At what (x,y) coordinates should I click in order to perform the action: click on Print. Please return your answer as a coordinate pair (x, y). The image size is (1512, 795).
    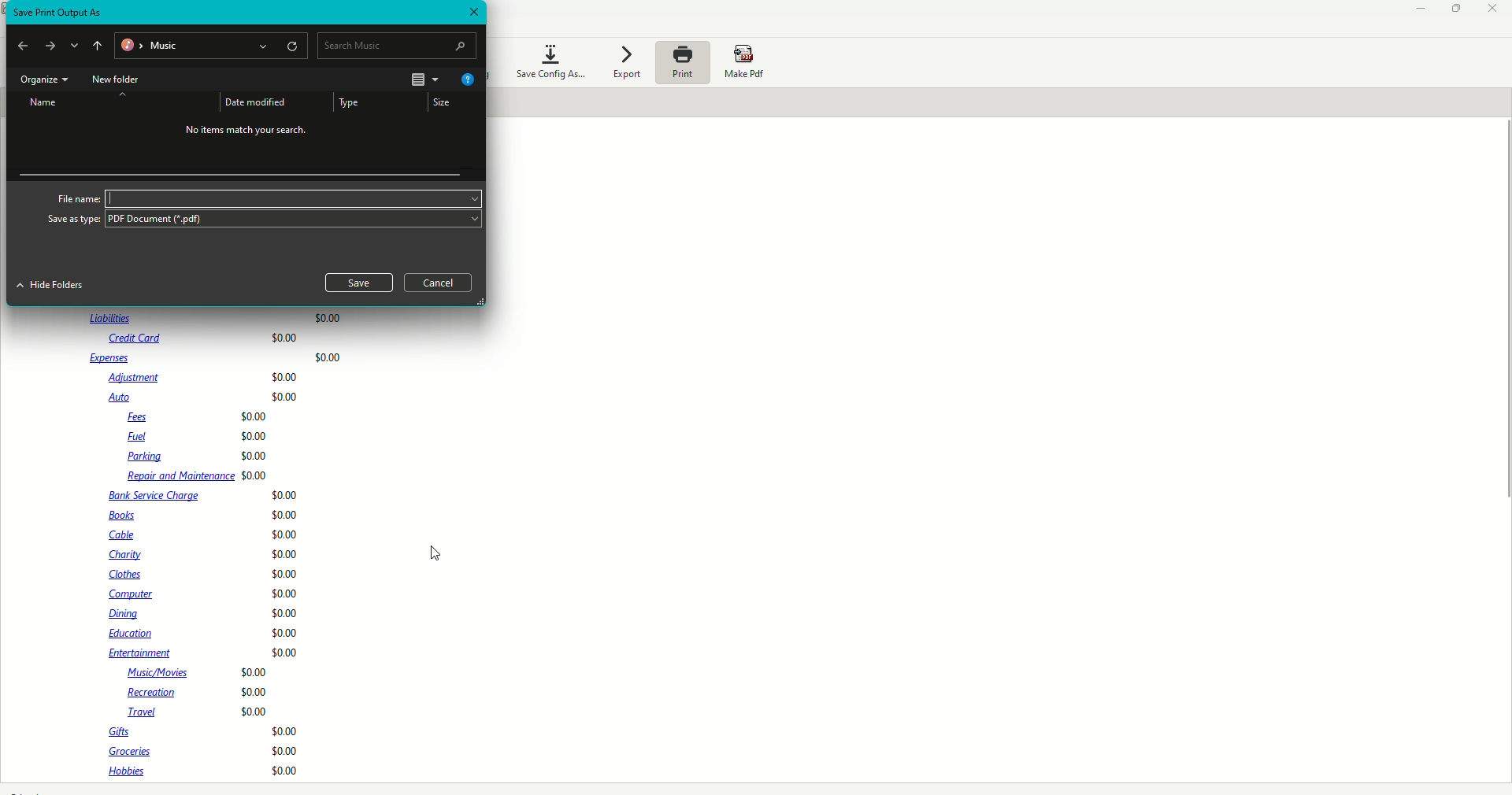
    Looking at the image, I should click on (681, 62).